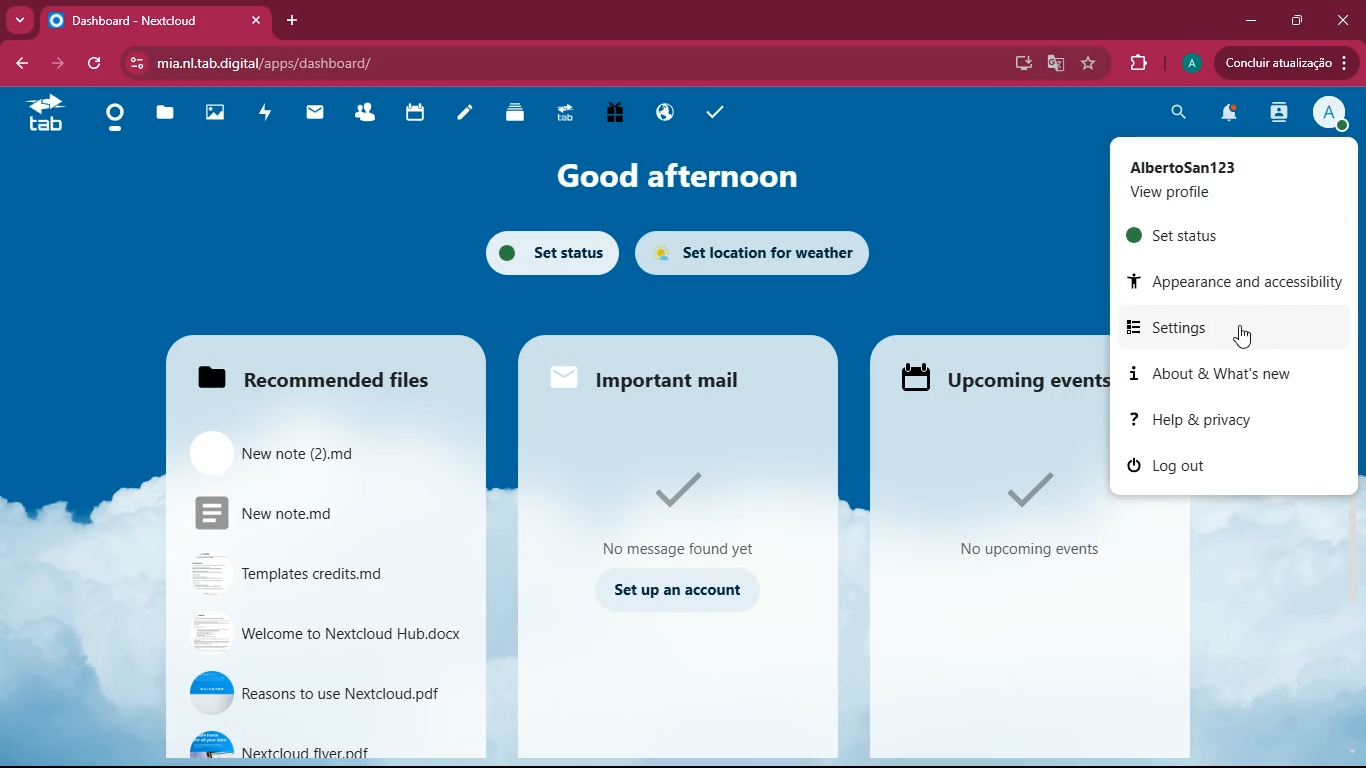 The image size is (1366, 768). What do you see at coordinates (1245, 334) in the screenshot?
I see `Cursor` at bounding box center [1245, 334].